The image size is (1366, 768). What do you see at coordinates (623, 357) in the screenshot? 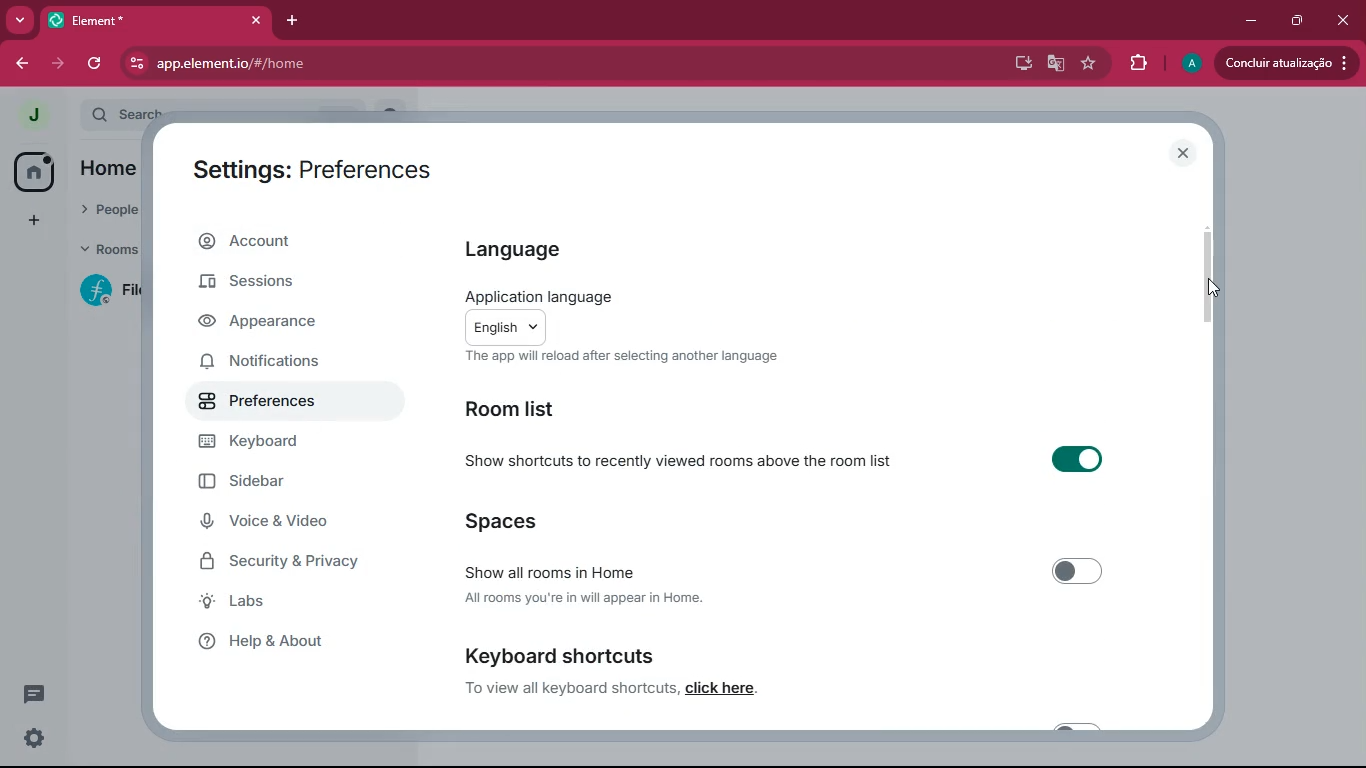
I see `The app will reload after selecting another language` at bounding box center [623, 357].